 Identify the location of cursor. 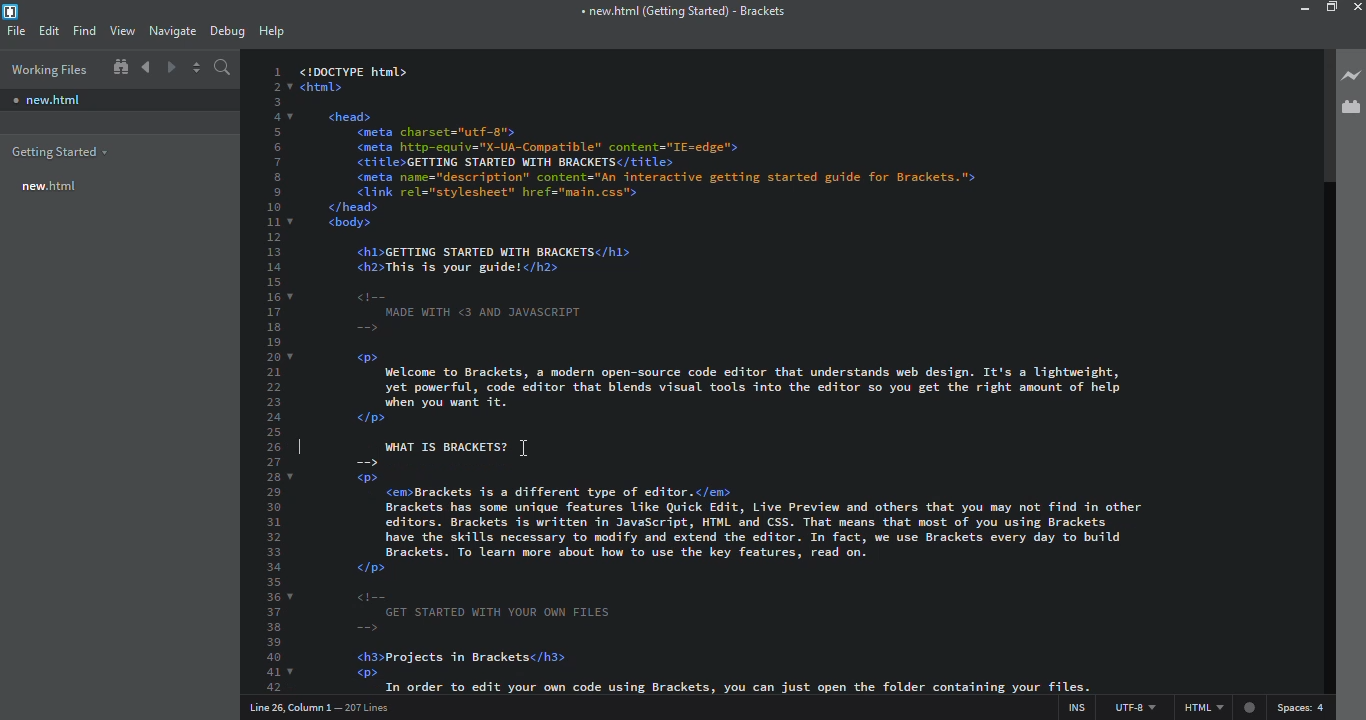
(533, 445).